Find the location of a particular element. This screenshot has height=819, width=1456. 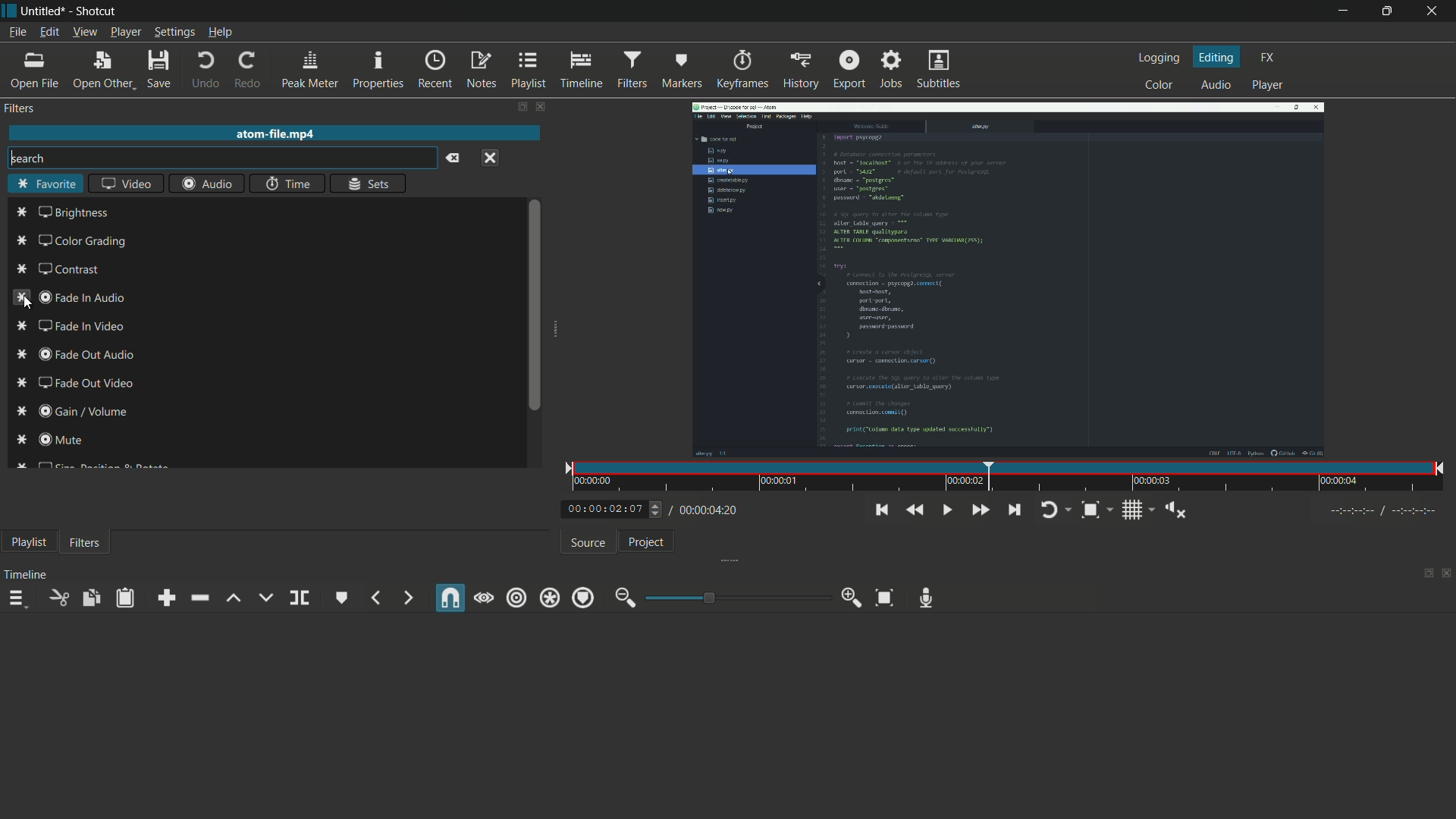

skip to the previous point is located at coordinates (880, 510).